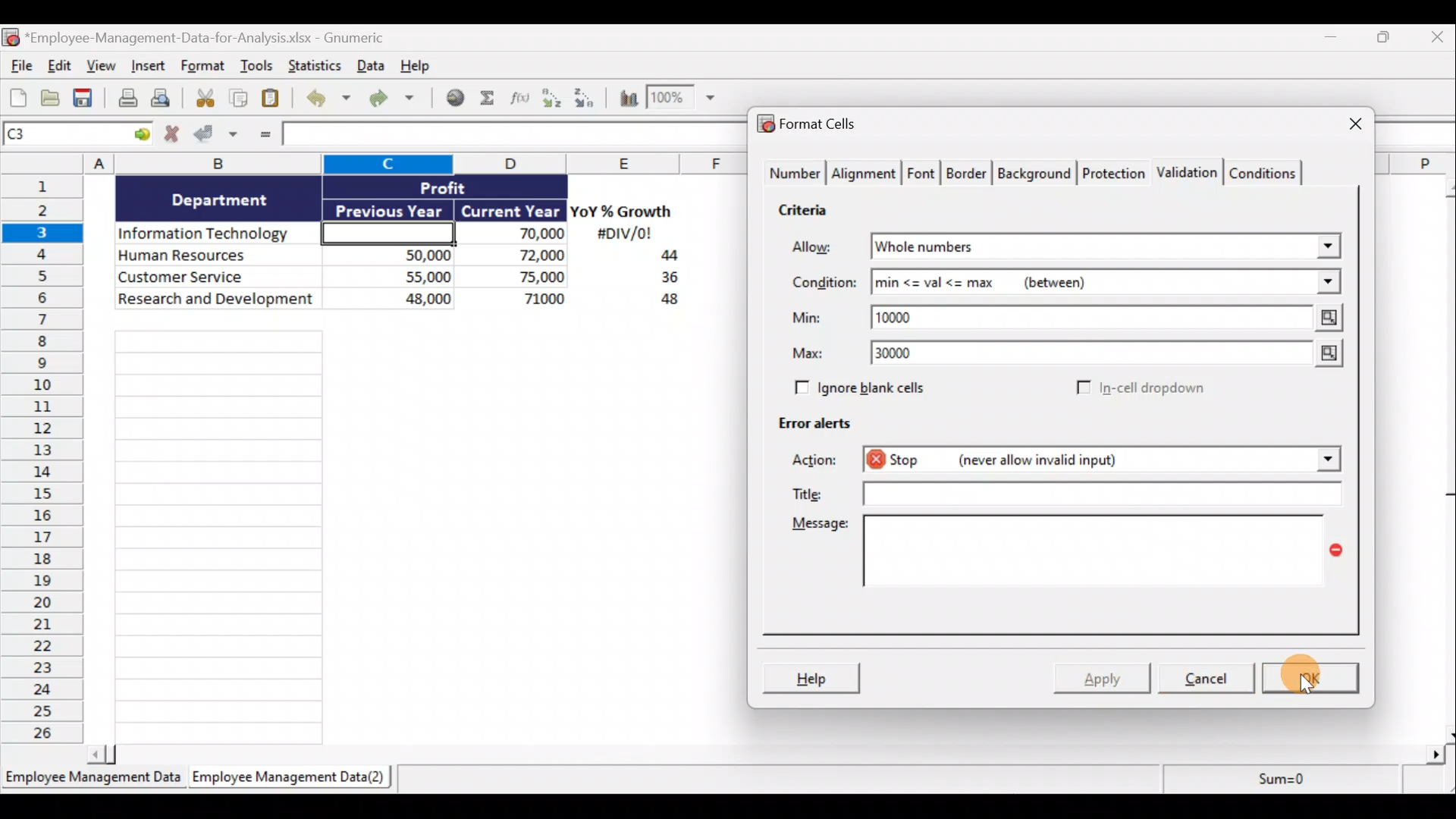 Image resolution: width=1456 pixels, height=819 pixels. I want to click on Cell name C1, so click(64, 136).